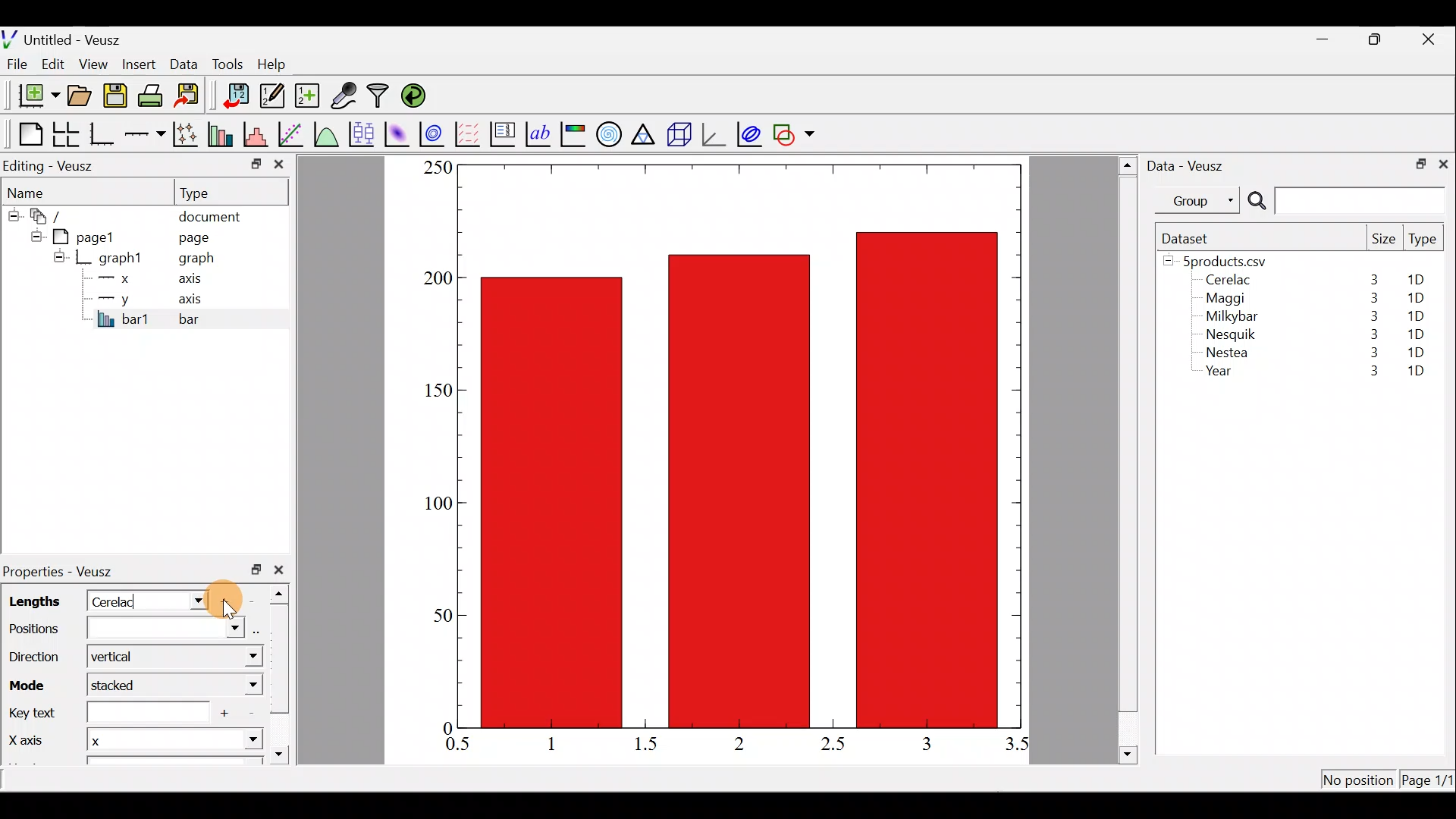 The height and width of the screenshot is (819, 1456). I want to click on 1.5, so click(649, 745).